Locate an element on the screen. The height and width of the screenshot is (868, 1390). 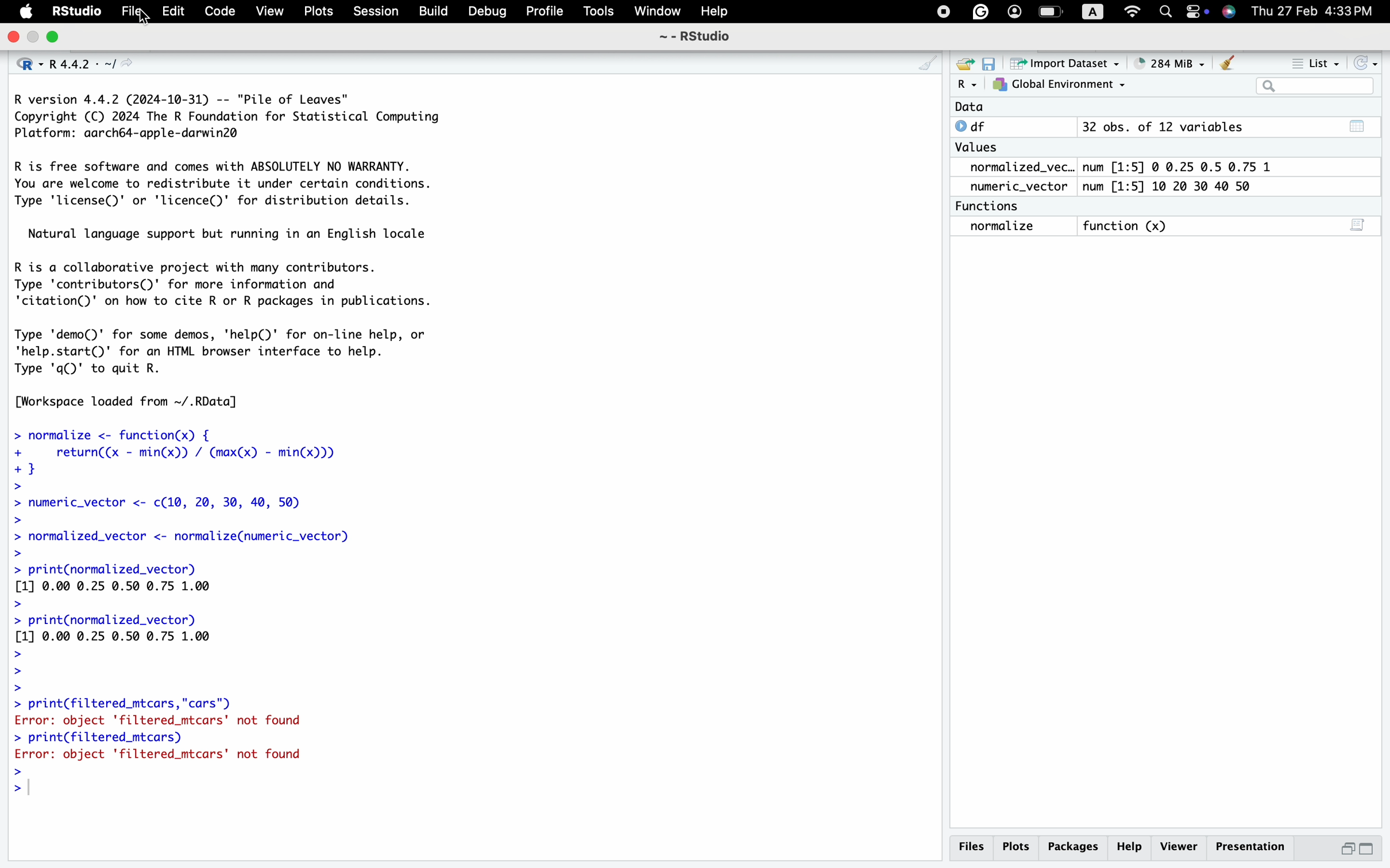
Build is located at coordinates (435, 12).